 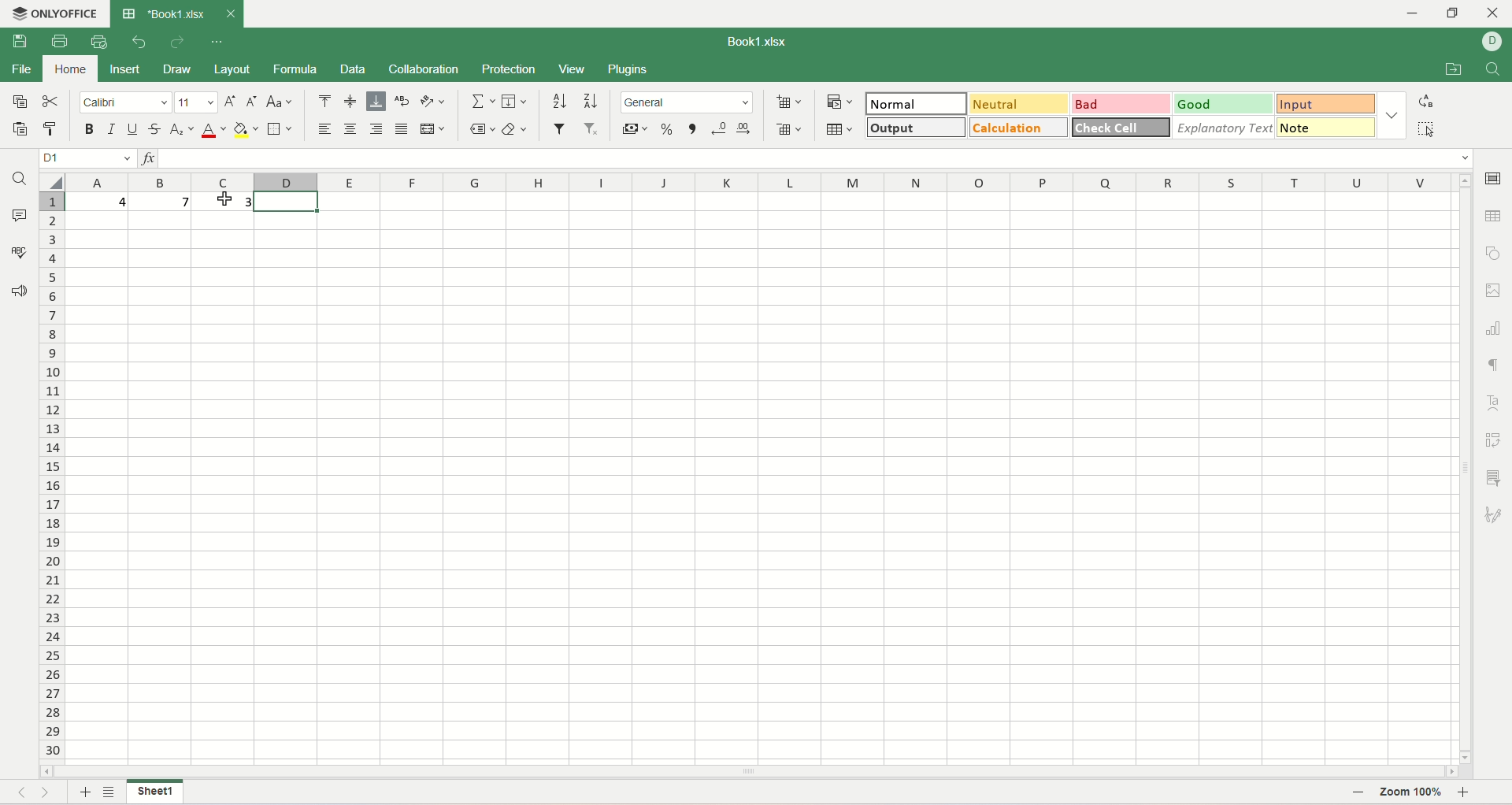 What do you see at coordinates (1496, 477) in the screenshot?
I see `slicer settings` at bounding box center [1496, 477].